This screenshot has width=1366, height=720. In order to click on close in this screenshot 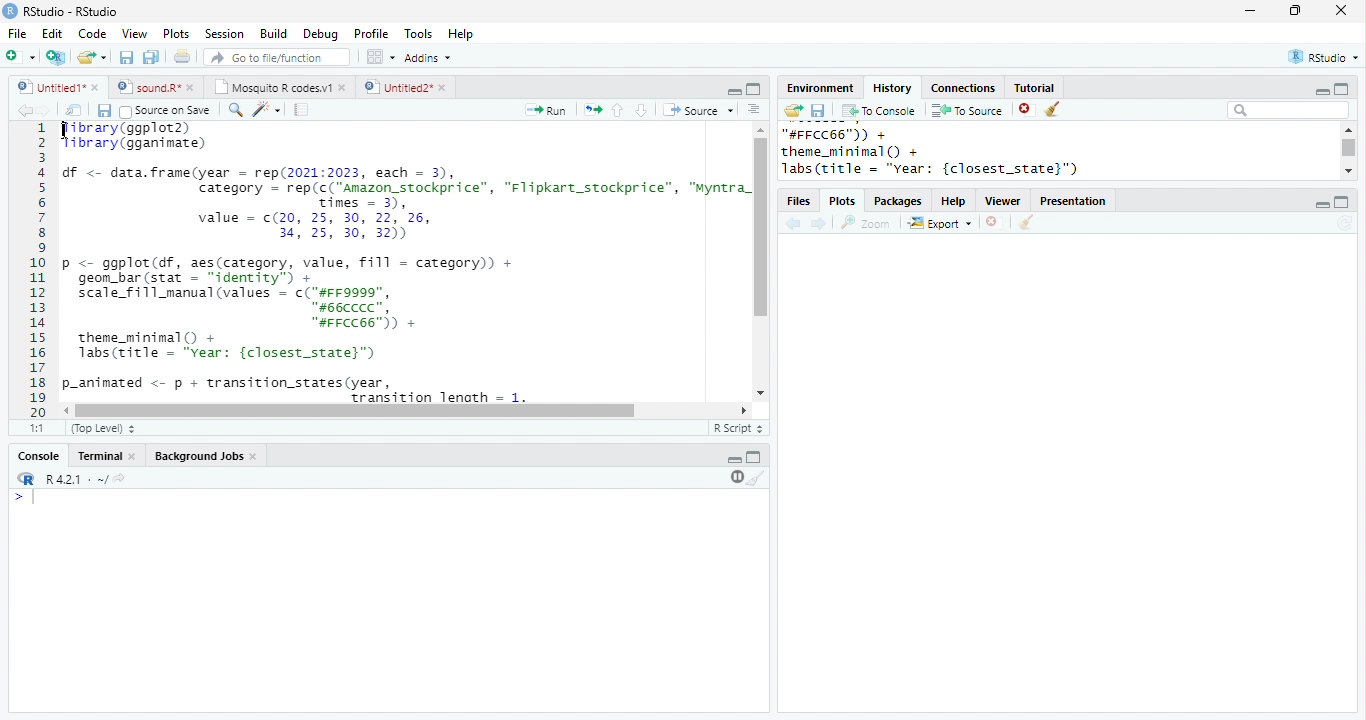, I will do `click(192, 88)`.